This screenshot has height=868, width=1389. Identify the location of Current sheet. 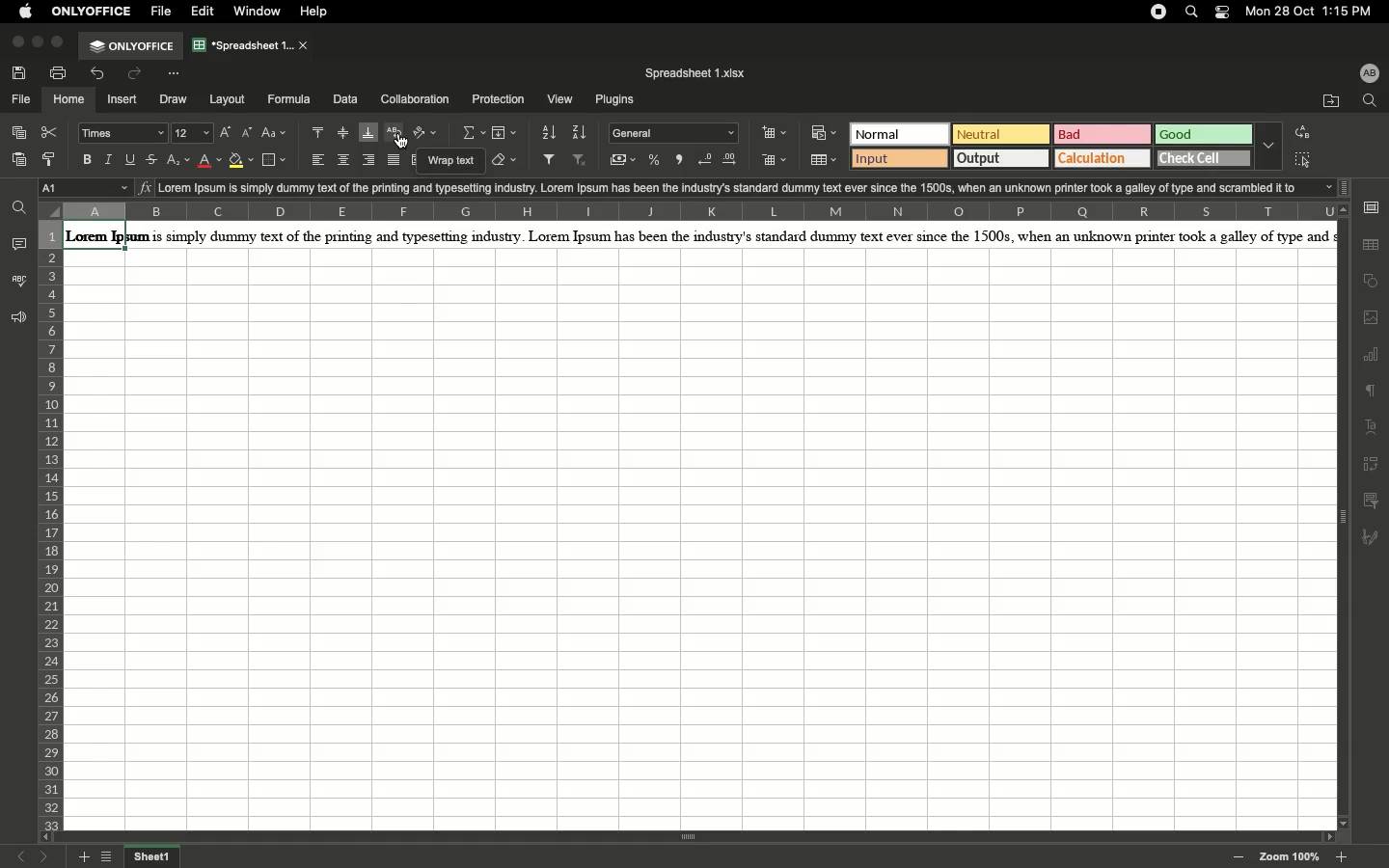
(154, 856).